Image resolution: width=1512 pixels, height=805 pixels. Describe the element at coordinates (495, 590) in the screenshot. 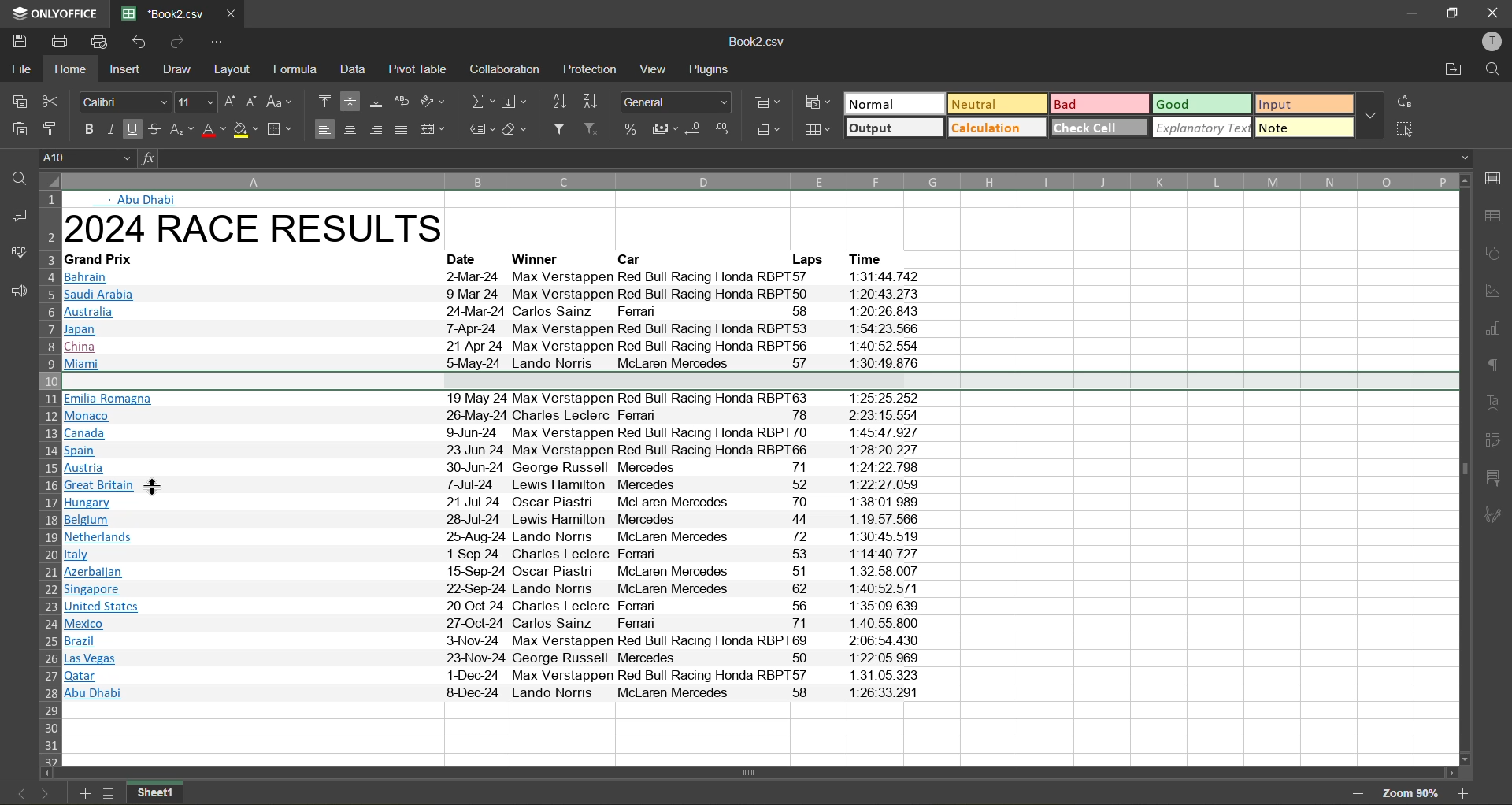

I see `Singapore 22-Sep-24 Lando Norris McLaren Mercedes 62 1:40:52 571` at that location.